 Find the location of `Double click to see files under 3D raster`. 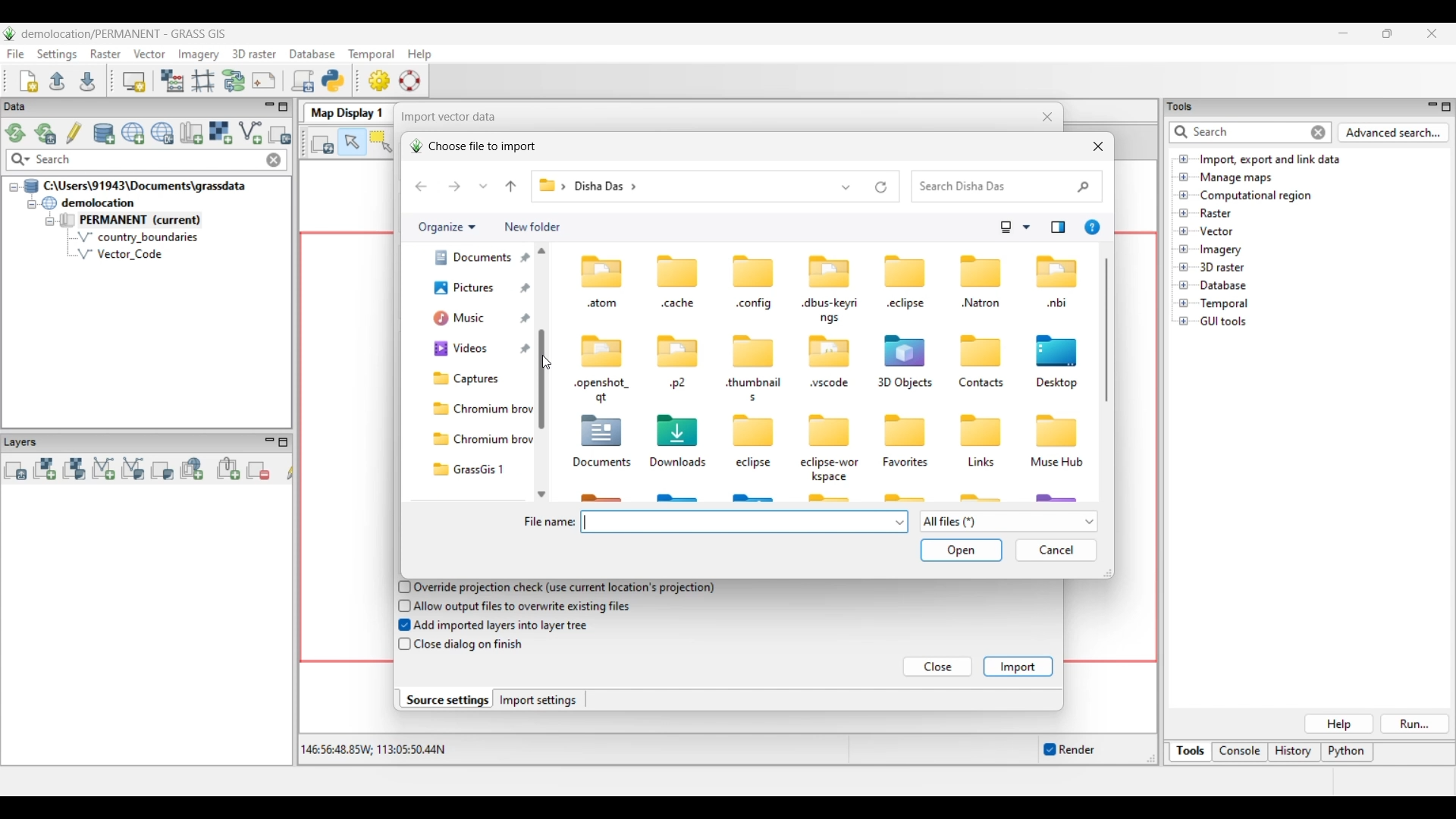

Double click to see files under 3D raster is located at coordinates (1222, 267).